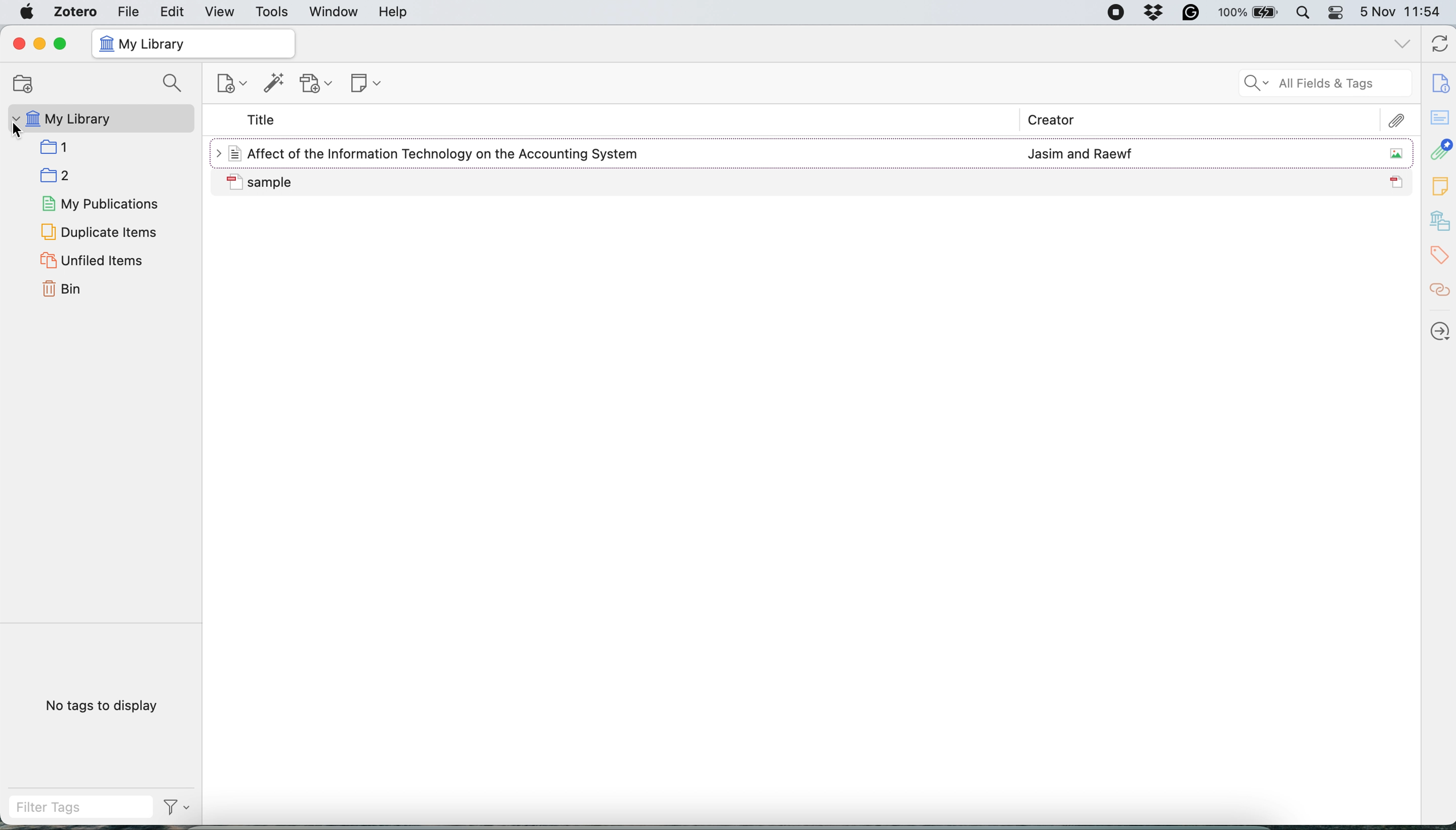  Describe the element at coordinates (1077, 151) in the screenshot. I see `Jasim and Raewf` at that location.